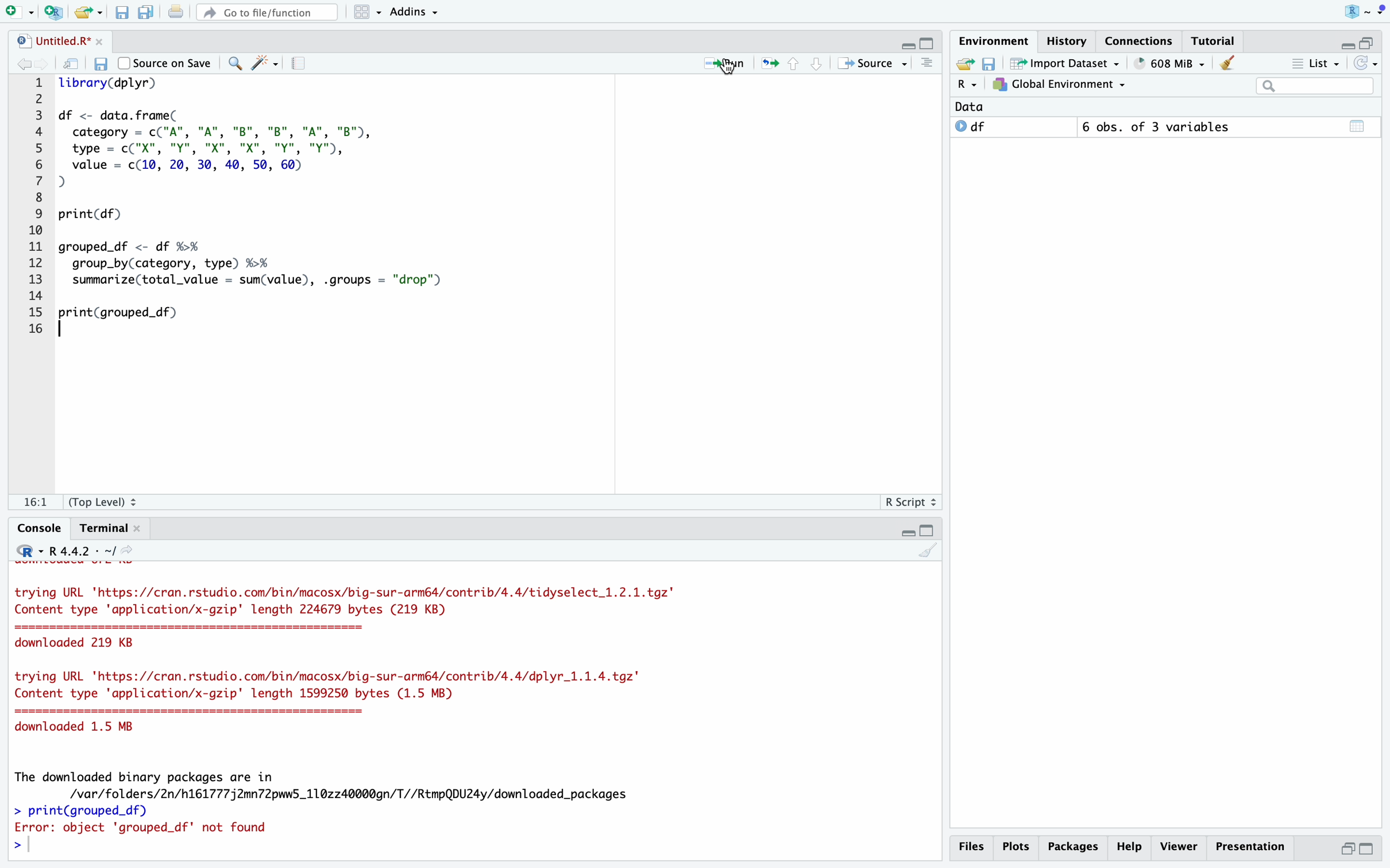 This screenshot has height=868, width=1390. I want to click on Open an existing file, so click(88, 11).